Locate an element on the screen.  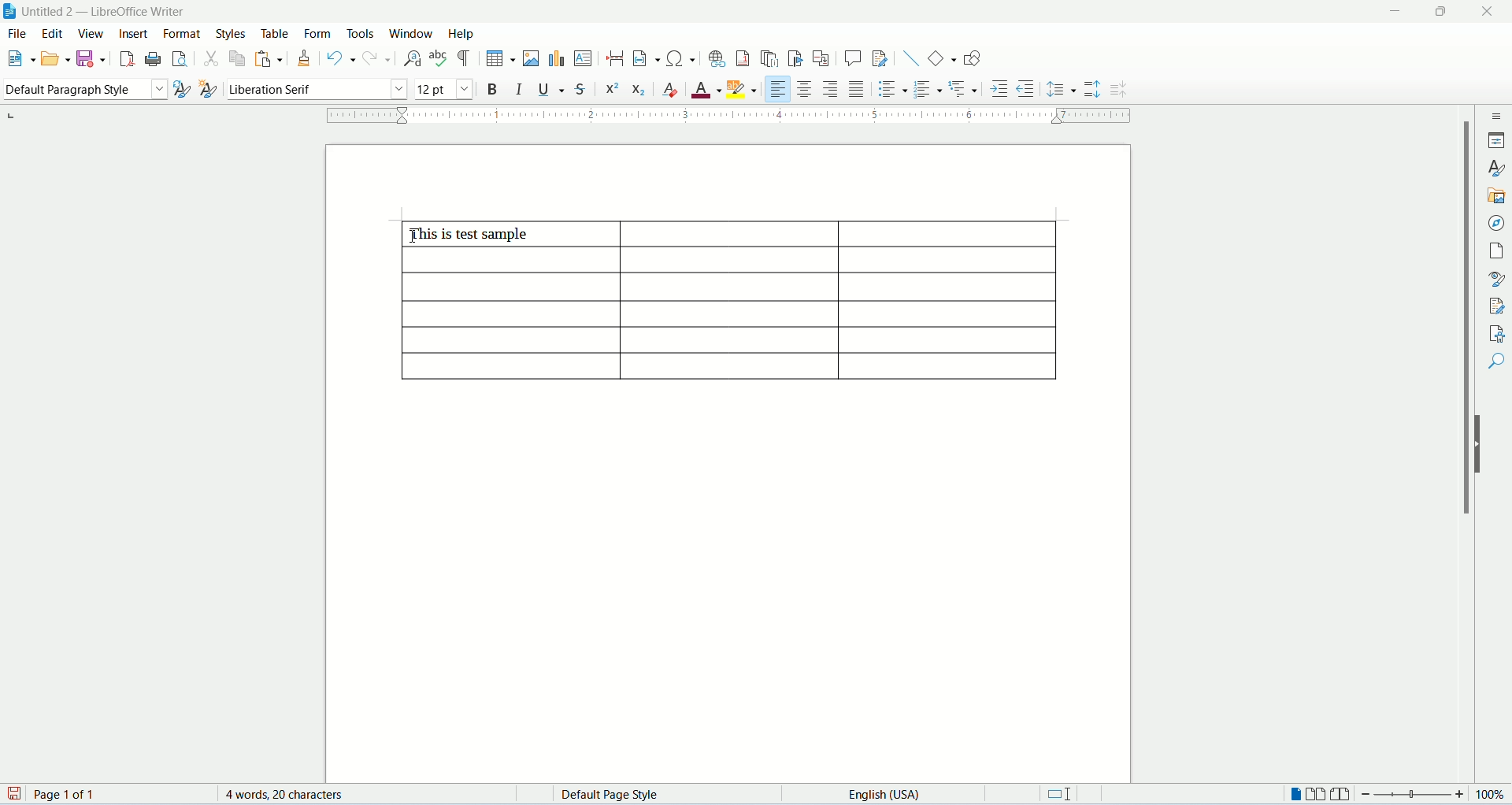
insert bookmark is located at coordinates (797, 56).